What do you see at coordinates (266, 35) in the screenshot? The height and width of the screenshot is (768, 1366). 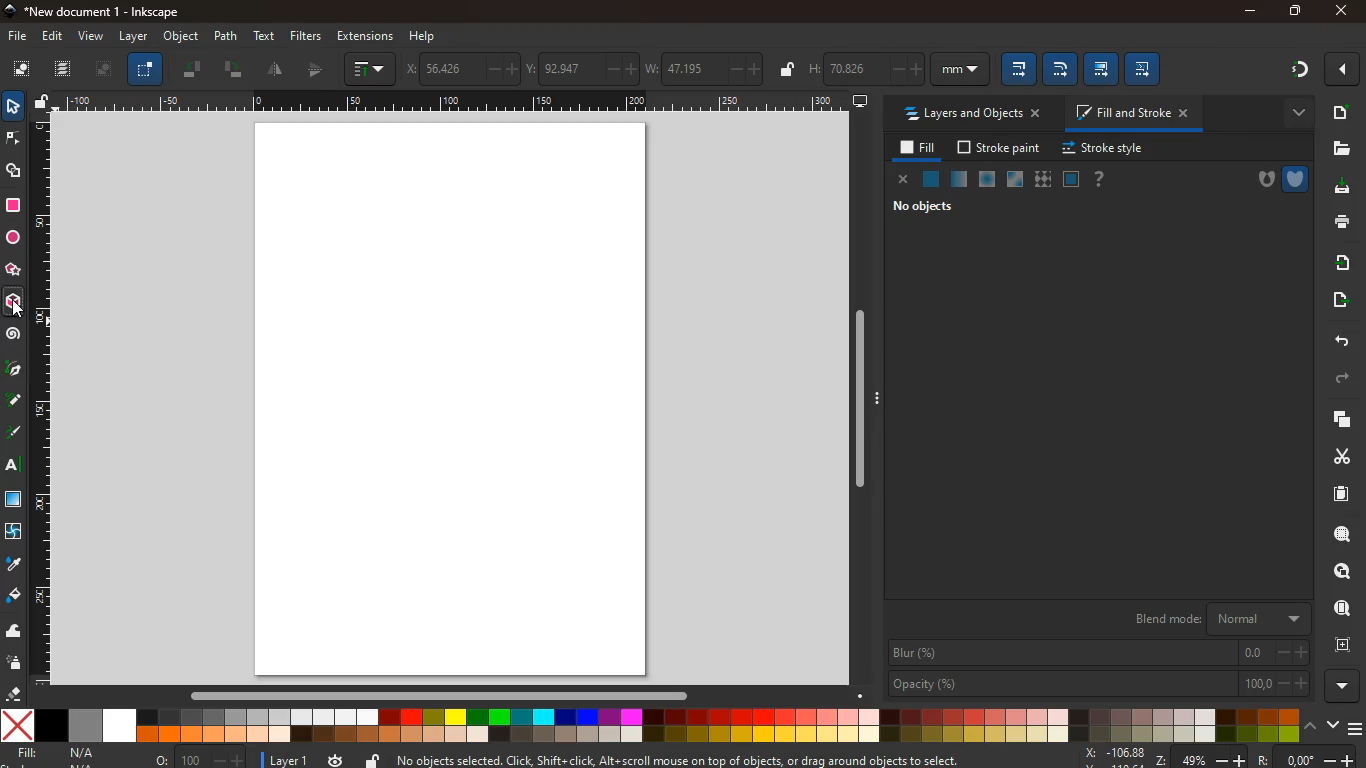 I see `text` at bounding box center [266, 35].